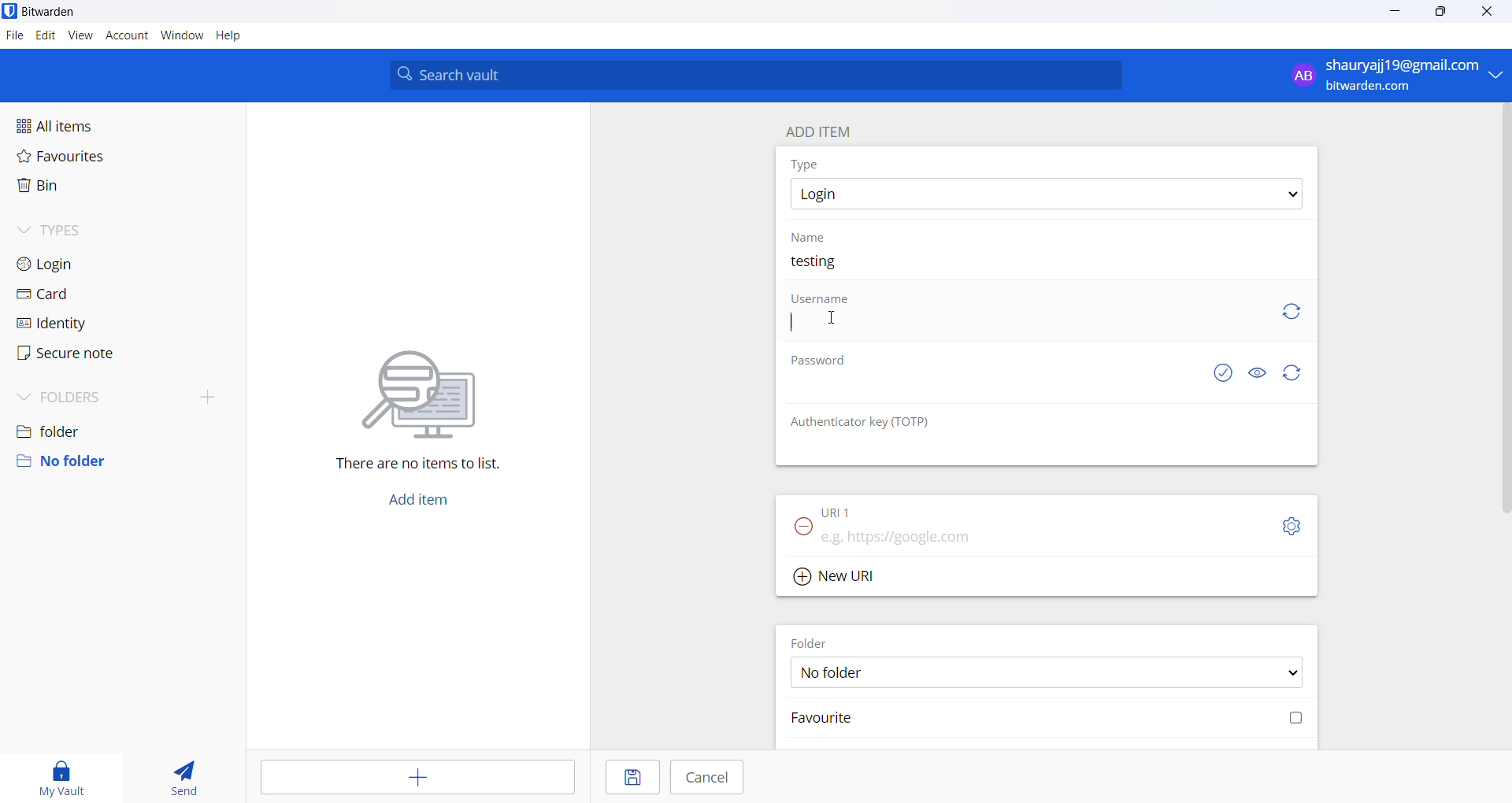 The image size is (1512, 803). Describe the element at coordinates (417, 413) in the screenshot. I see `There are no items to list.` at that location.